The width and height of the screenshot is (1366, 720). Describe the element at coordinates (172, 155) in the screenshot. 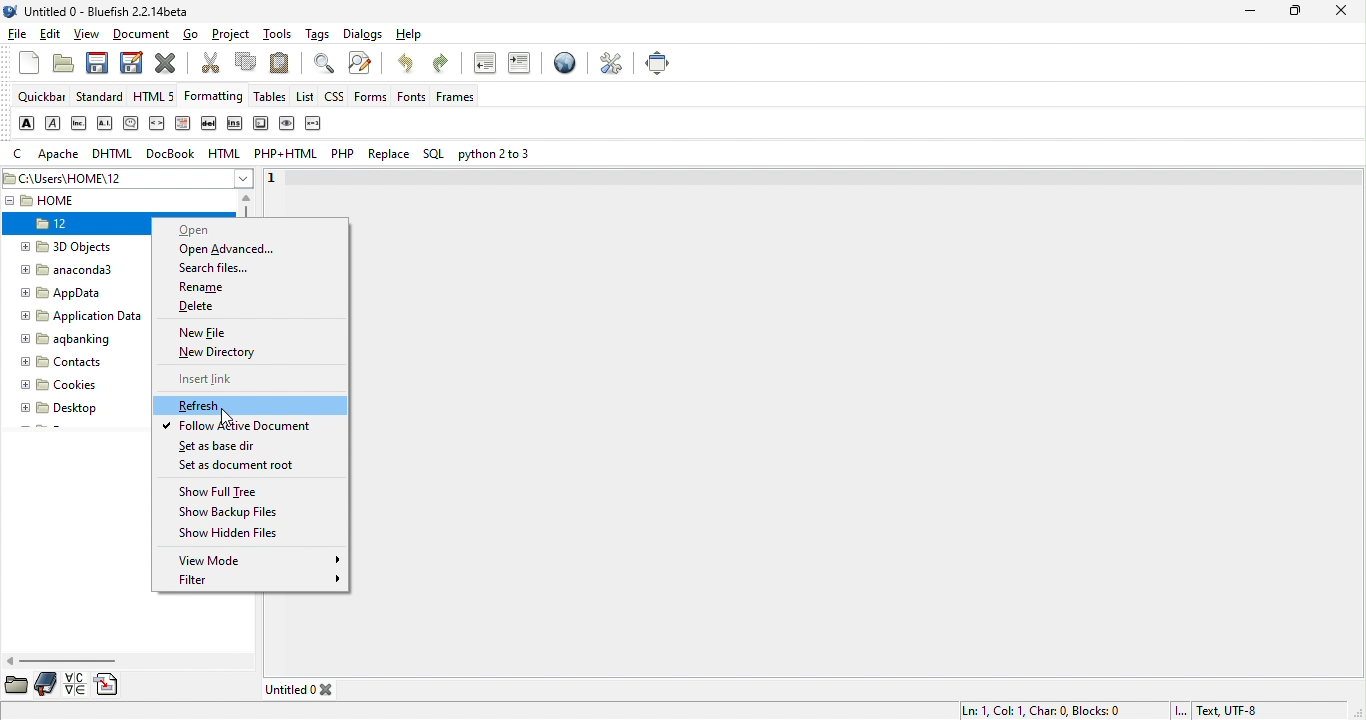

I see `docbook` at that location.